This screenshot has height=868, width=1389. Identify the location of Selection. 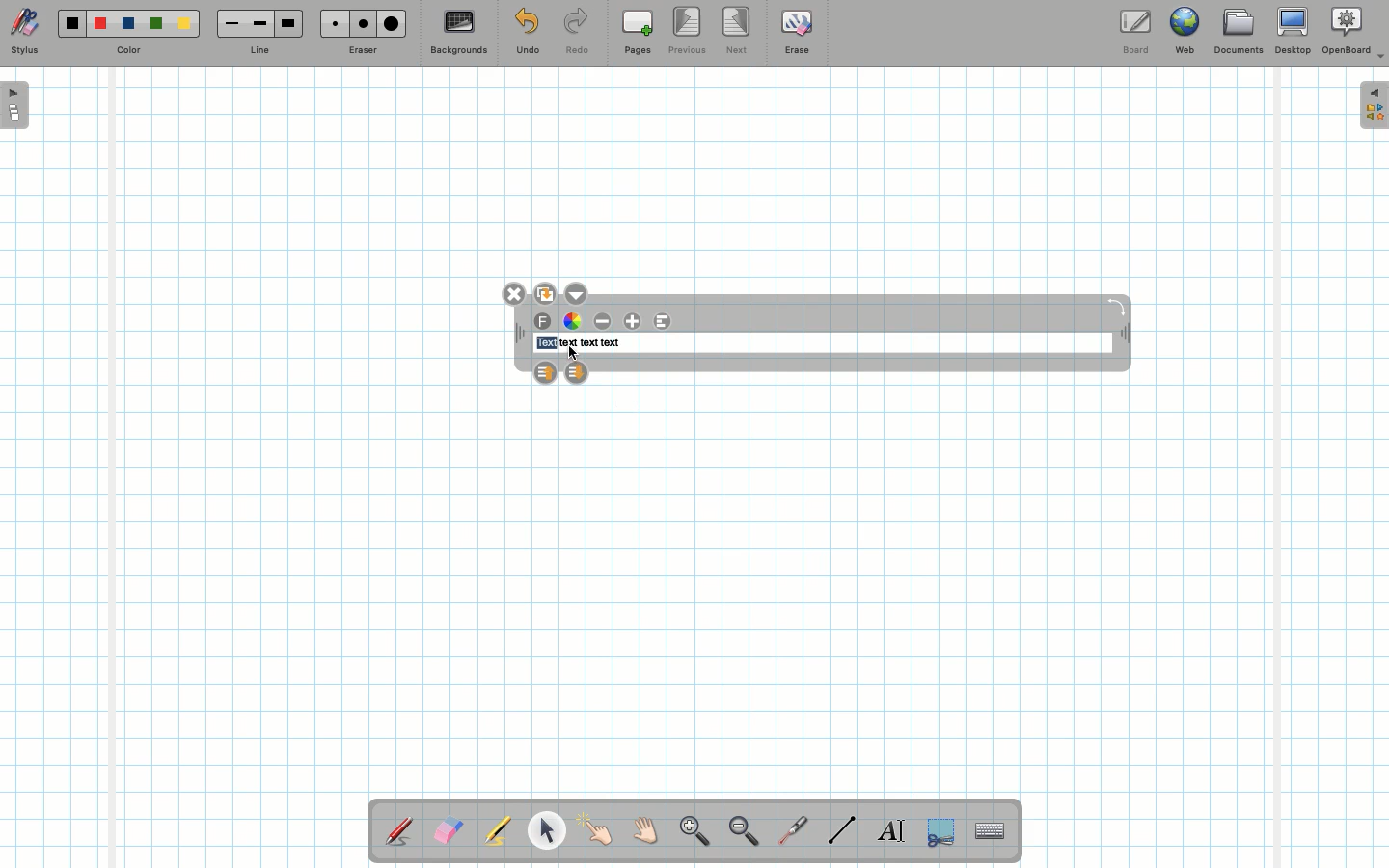
(939, 829).